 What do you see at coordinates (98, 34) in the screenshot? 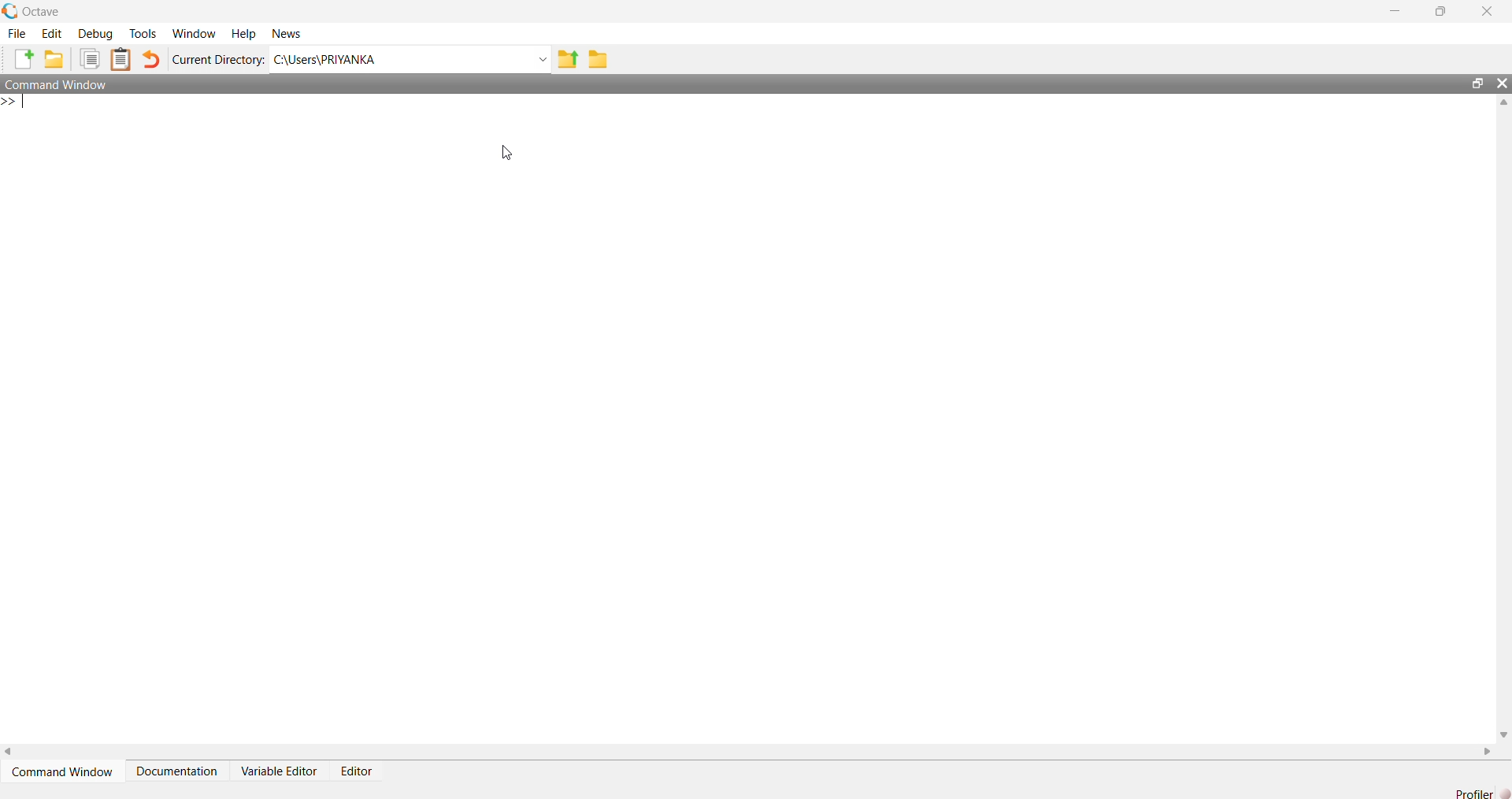
I see `Debug` at bounding box center [98, 34].